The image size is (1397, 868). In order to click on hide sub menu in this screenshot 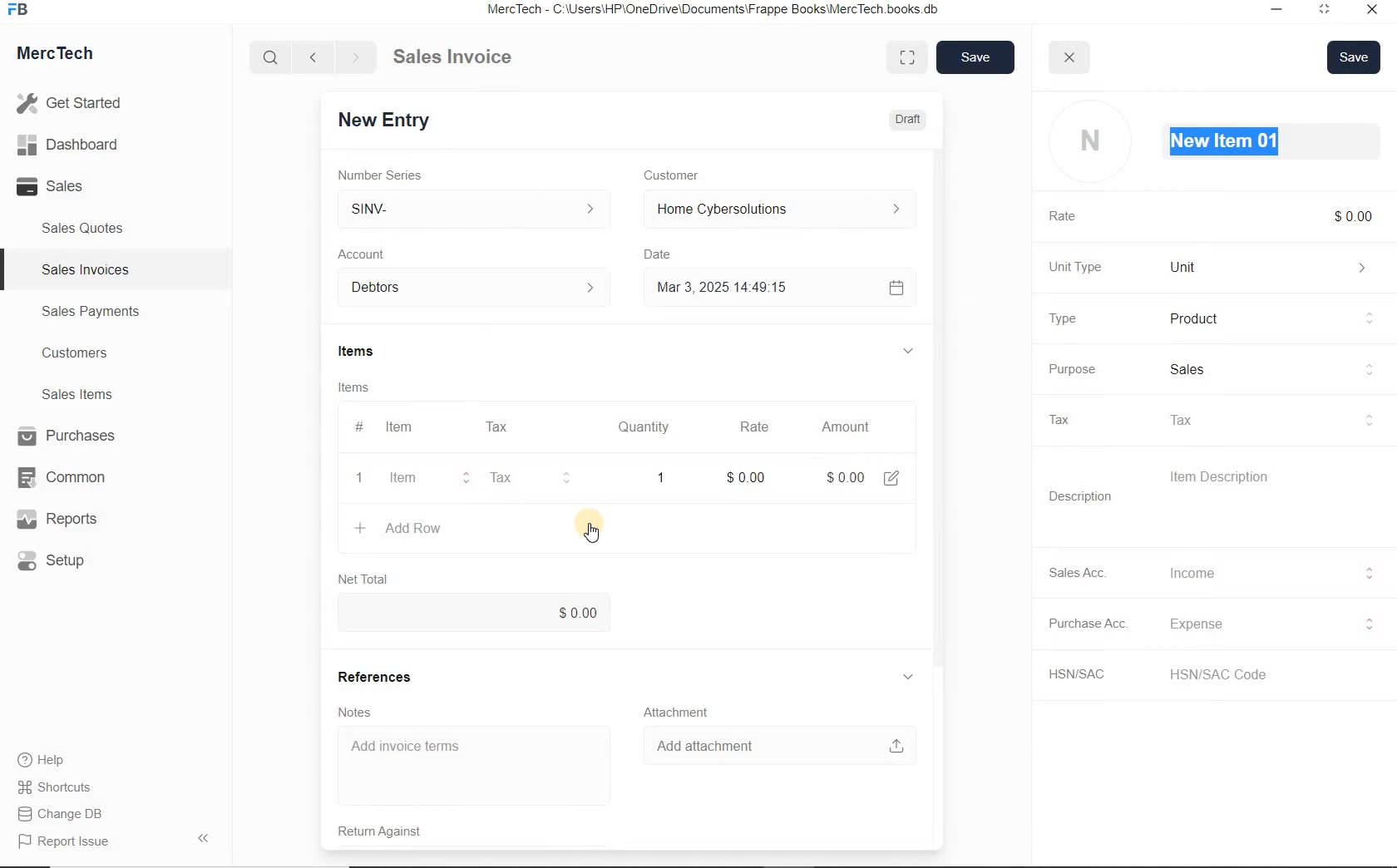, I will do `click(909, 677)`.